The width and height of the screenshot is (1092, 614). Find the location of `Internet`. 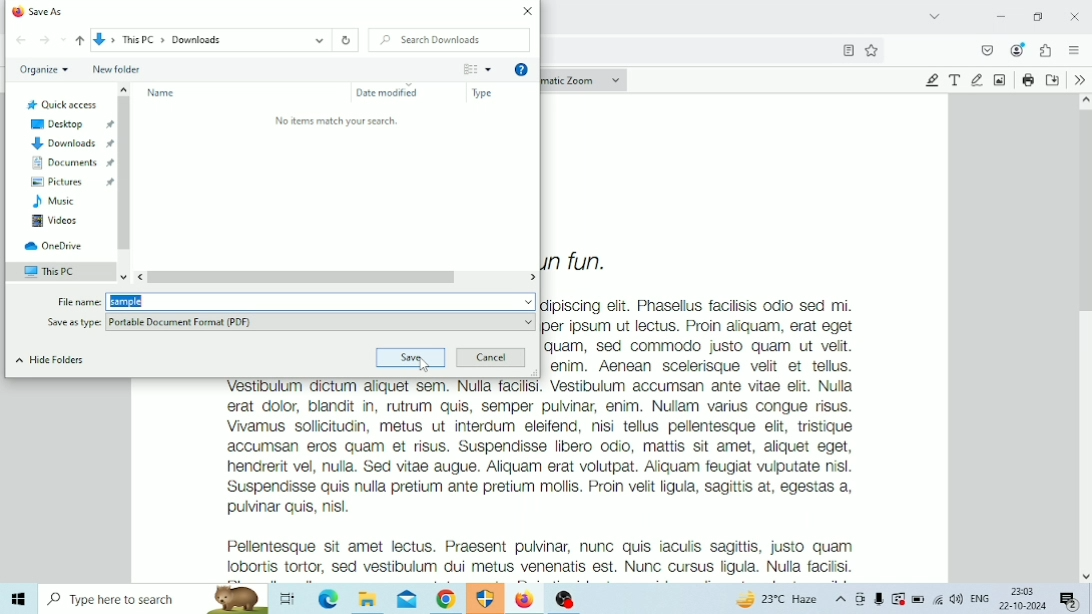

Internet is located at coordinates (938, 599).